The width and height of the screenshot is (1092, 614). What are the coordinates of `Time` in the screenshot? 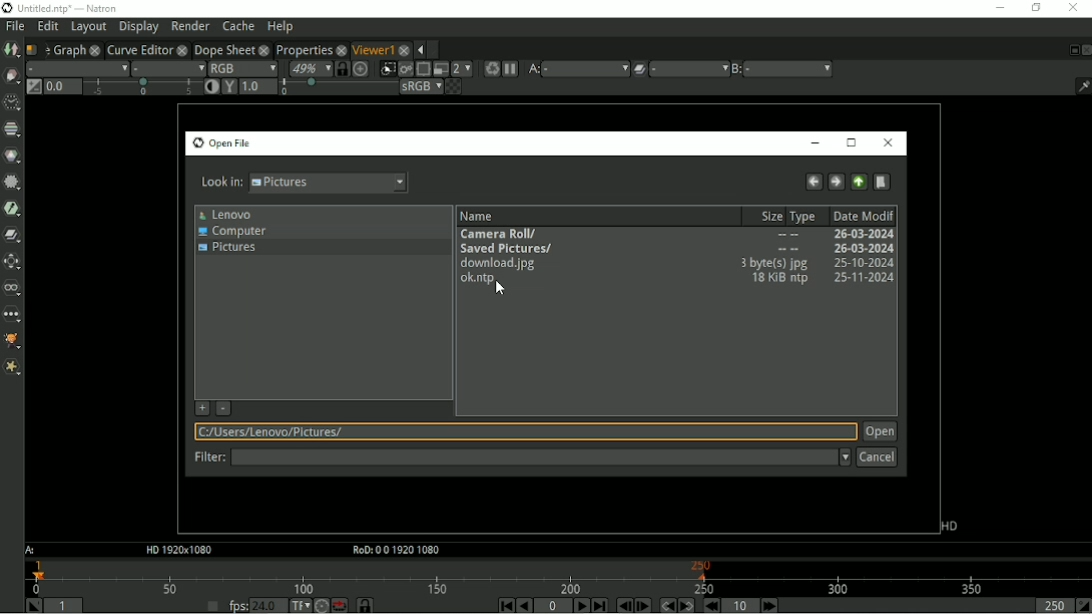 It's located at (12, 103).